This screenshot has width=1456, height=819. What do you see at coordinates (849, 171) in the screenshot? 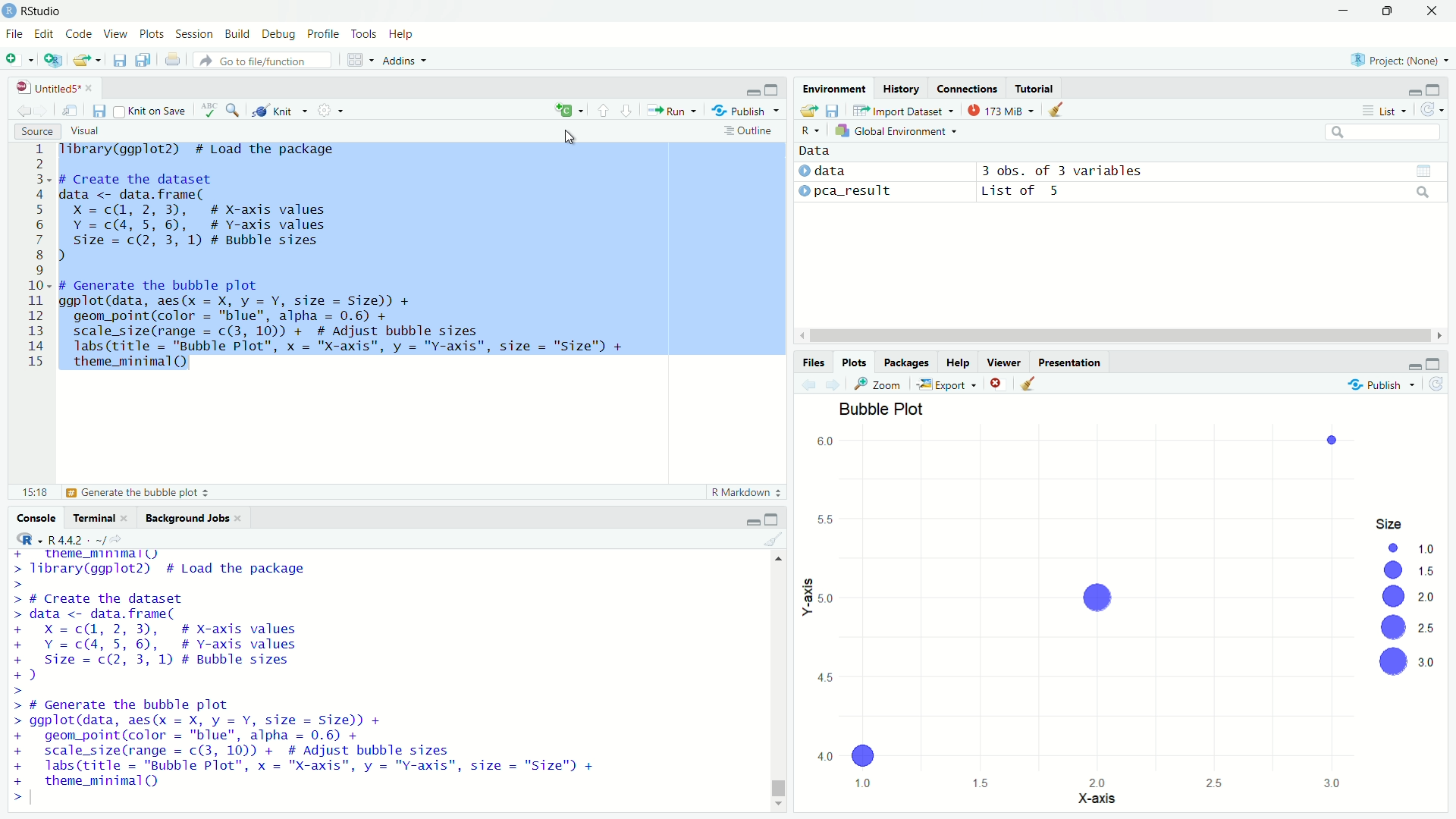
I see `data 1 : data` at bounding box center [849, 171].